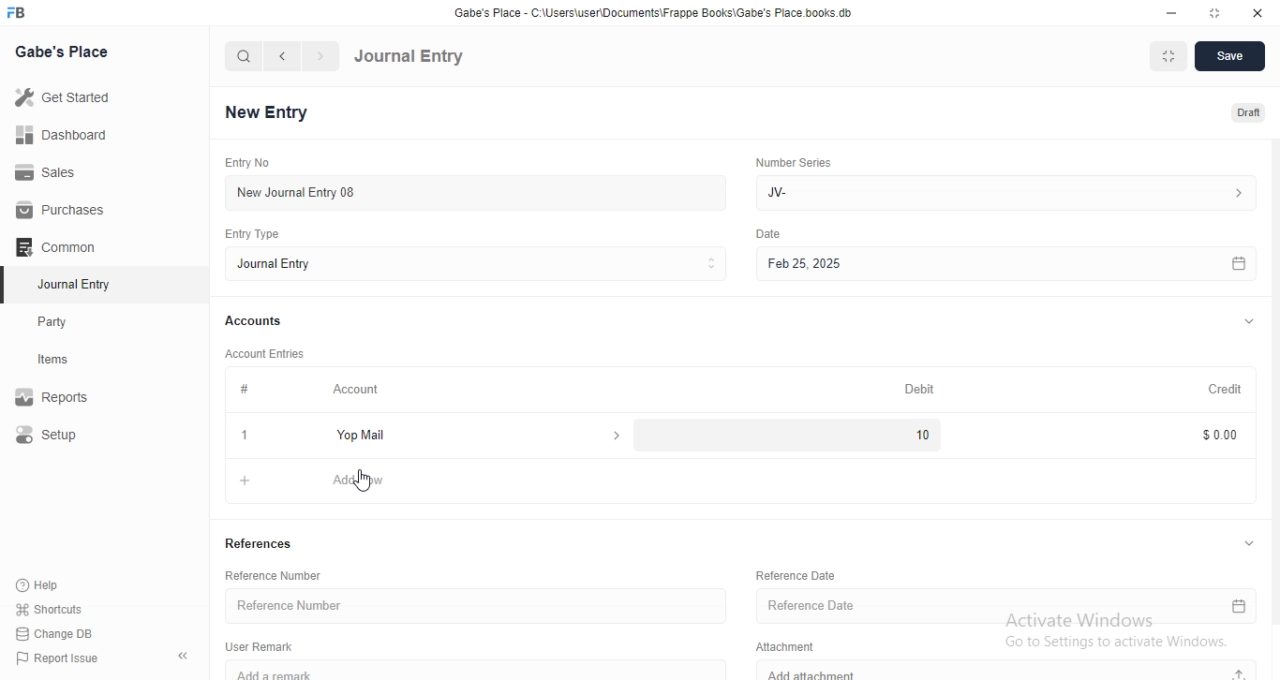 The width and height of the screenshot is (1280, 680). I want to click on Common, so click(60, 247).